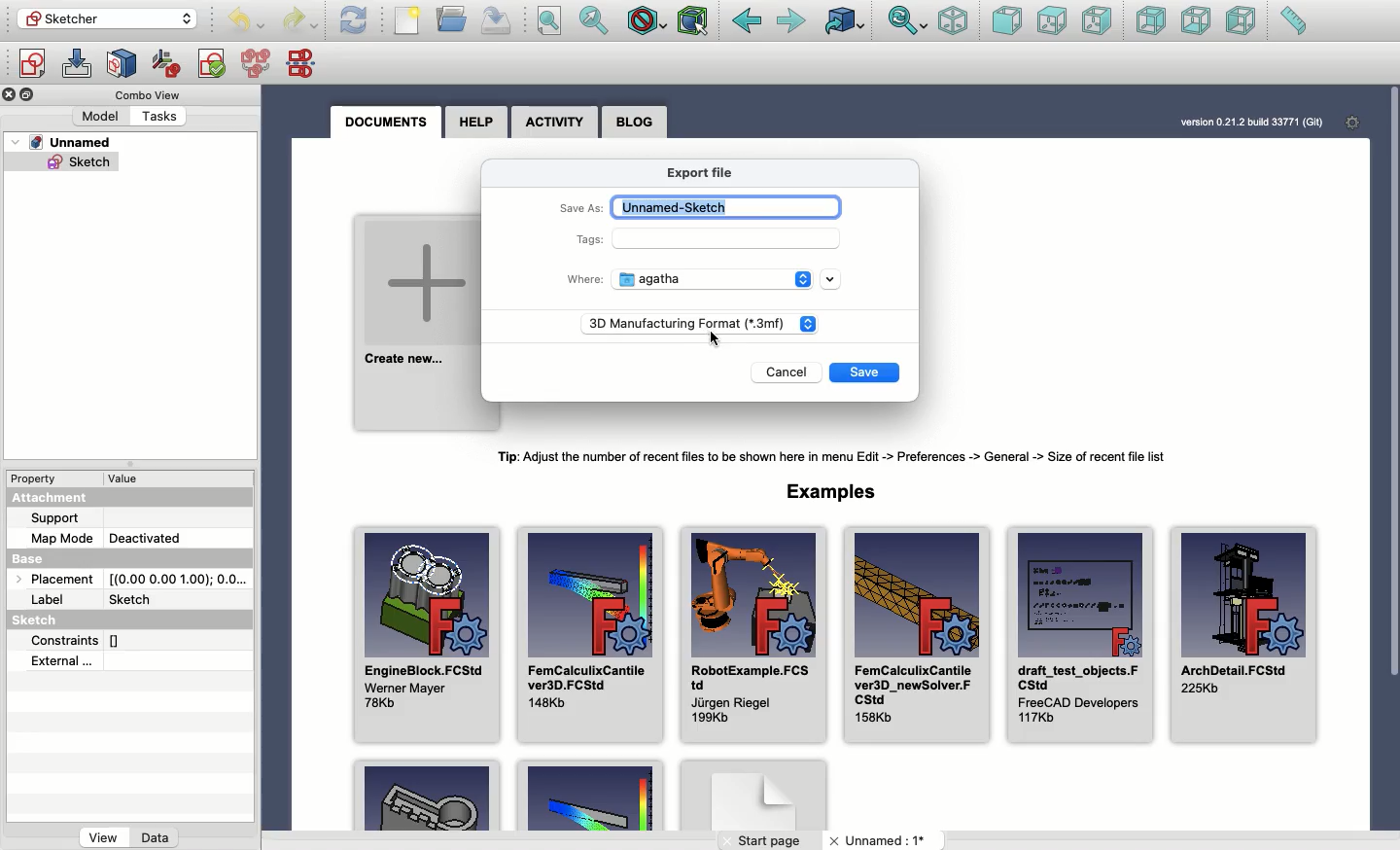  Describe the element at coordinates (431, 797) in the screenshot. I see `Example 1` at that location.